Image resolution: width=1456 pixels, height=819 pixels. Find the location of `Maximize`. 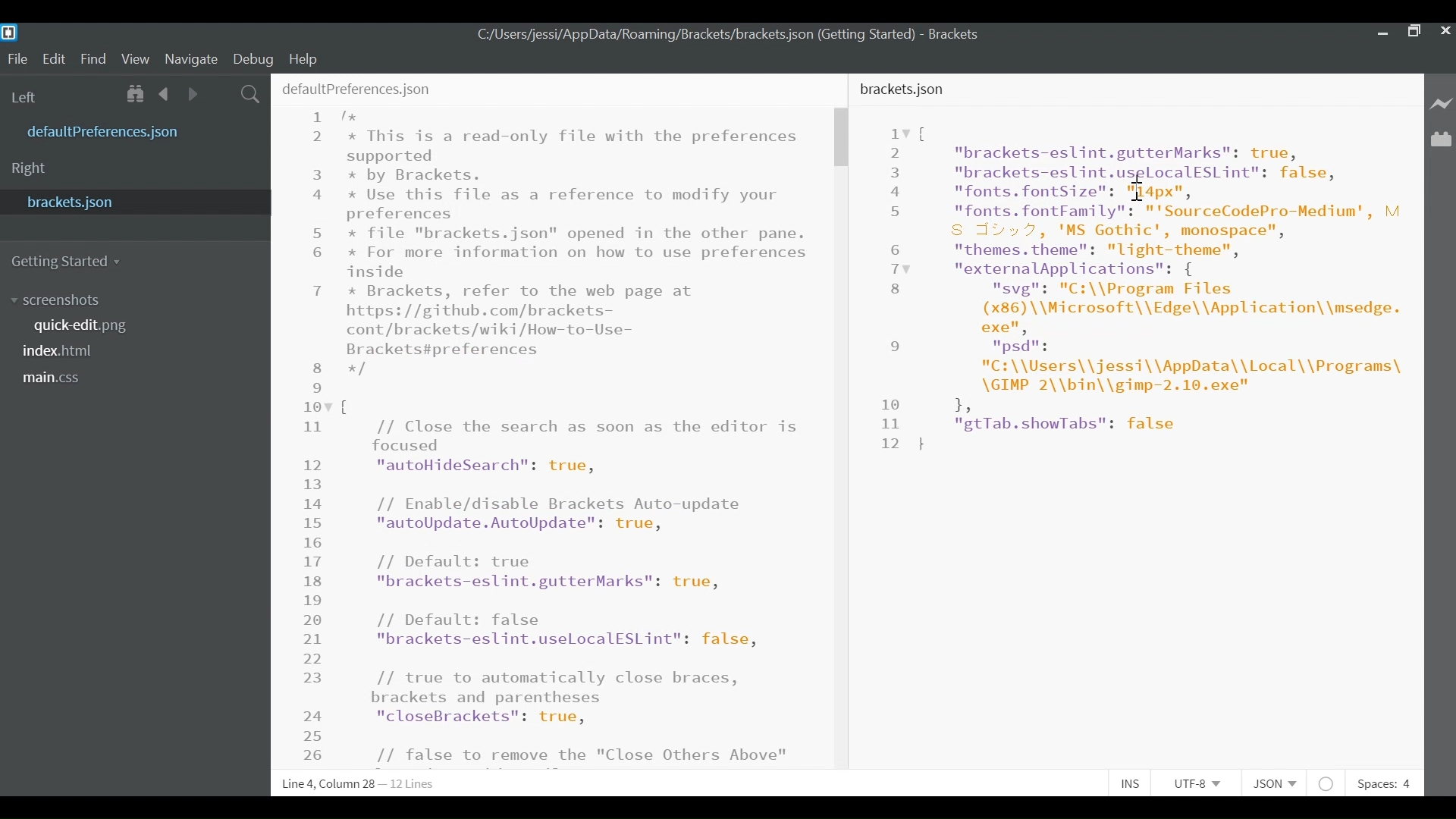

Maximize is located at coordinates (1414, 33).